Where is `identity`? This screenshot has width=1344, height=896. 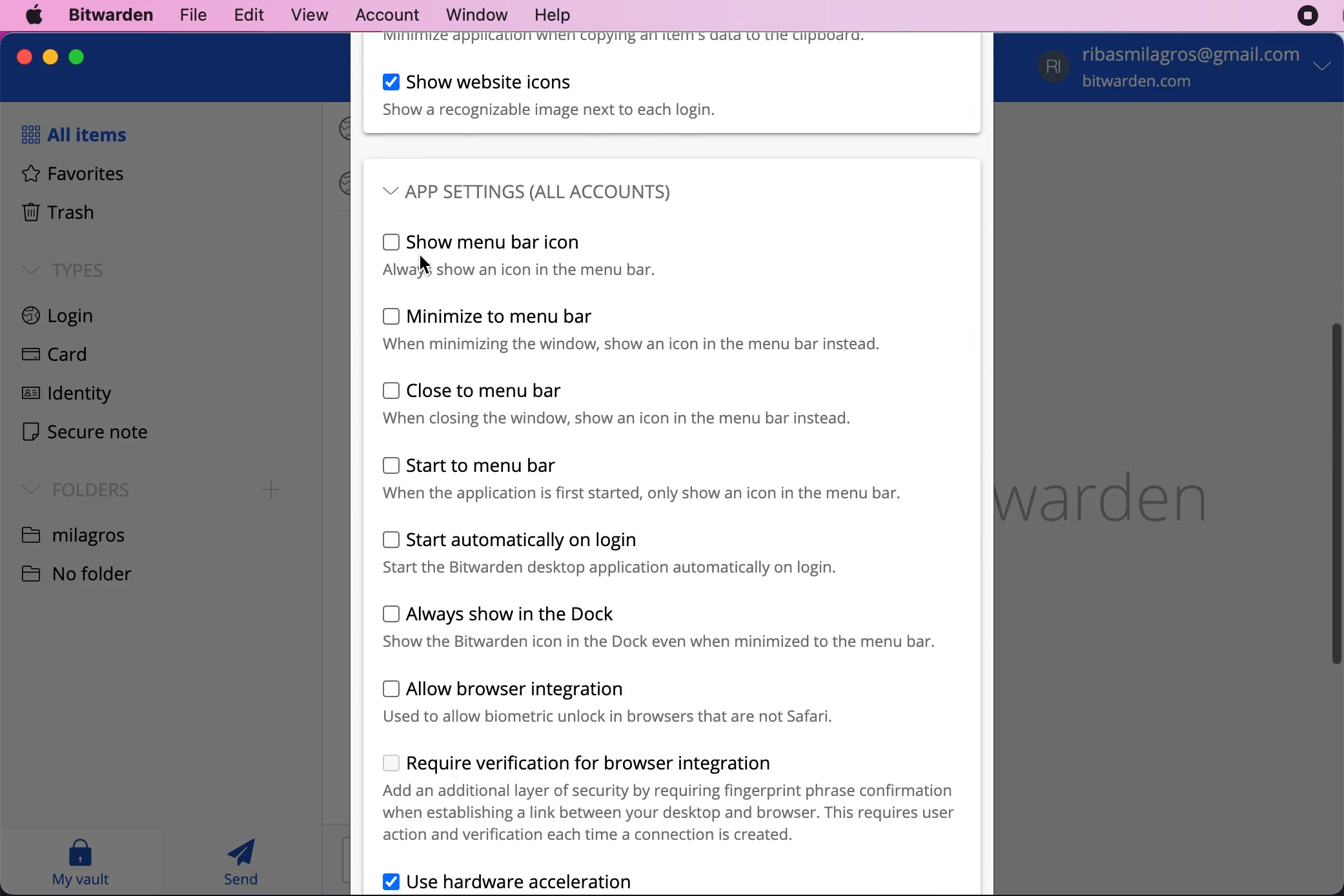
identity is located at coordinates (63, 396).